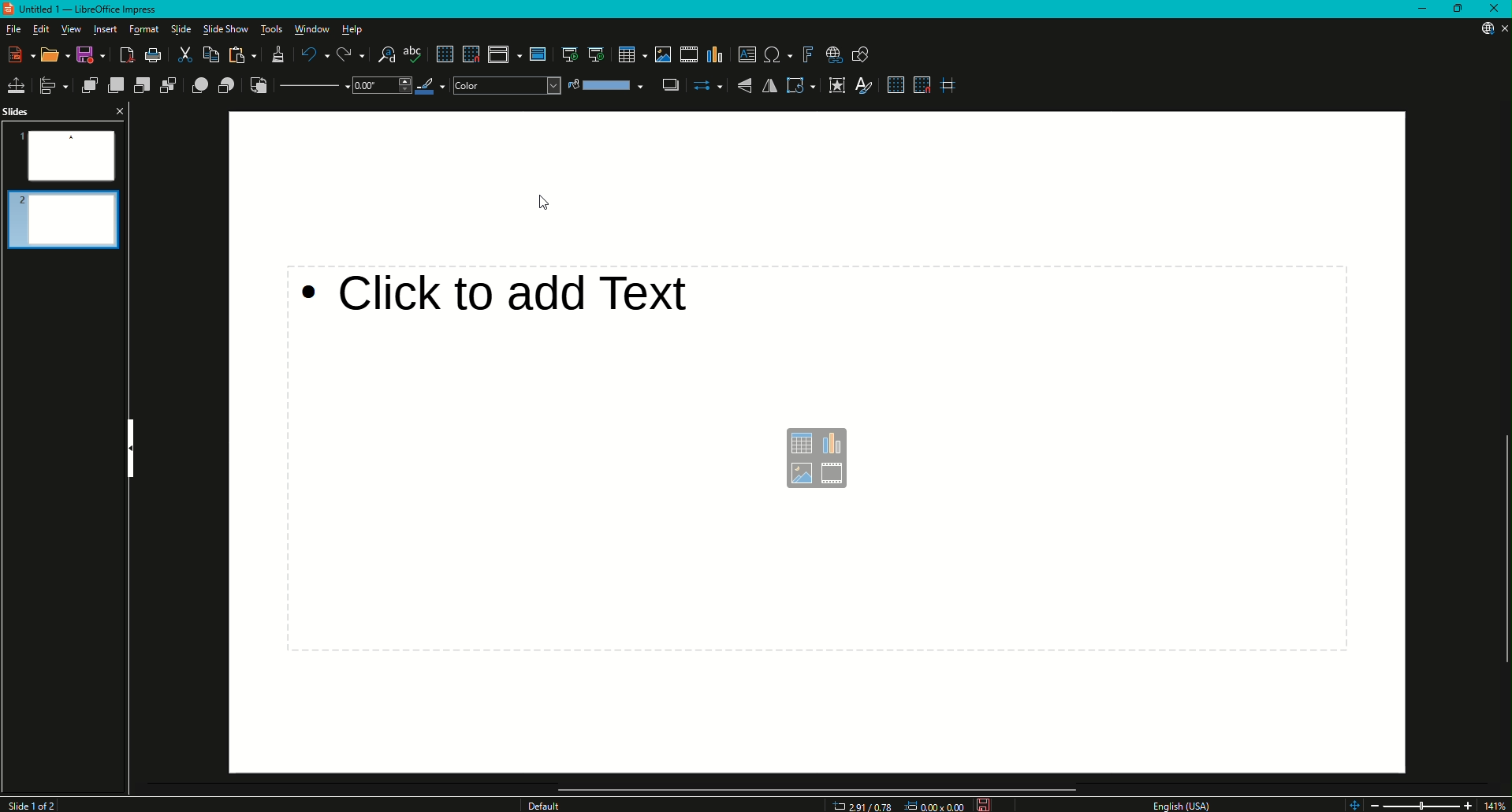 The width and height of the screenshot is (1512, 812). Describe the element at coordinates (226, 30) in the screenshot. I see `Slide Show` at that location.